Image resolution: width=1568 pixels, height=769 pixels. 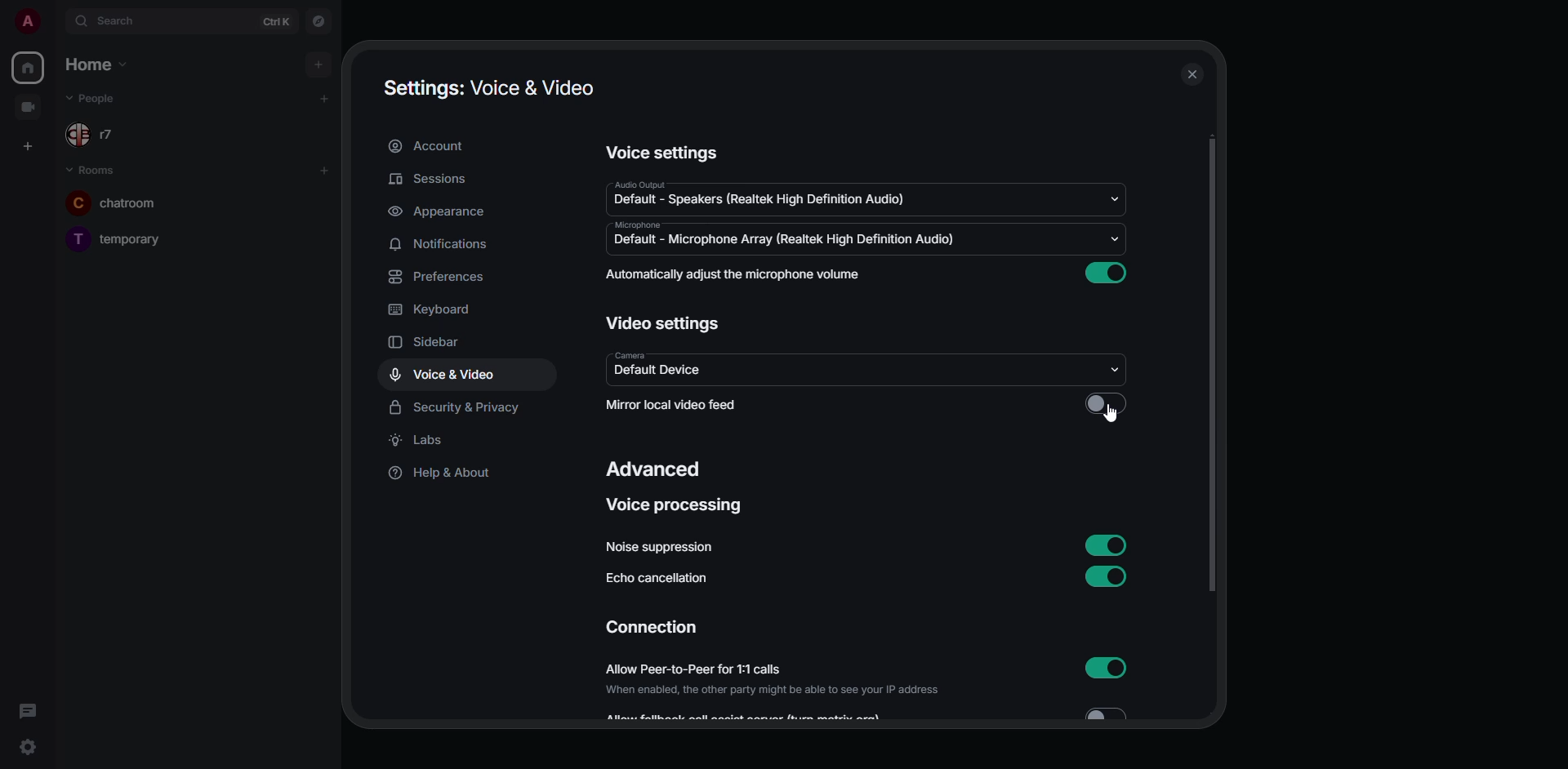 I want to click on microphone, so click(x=635, y=225).